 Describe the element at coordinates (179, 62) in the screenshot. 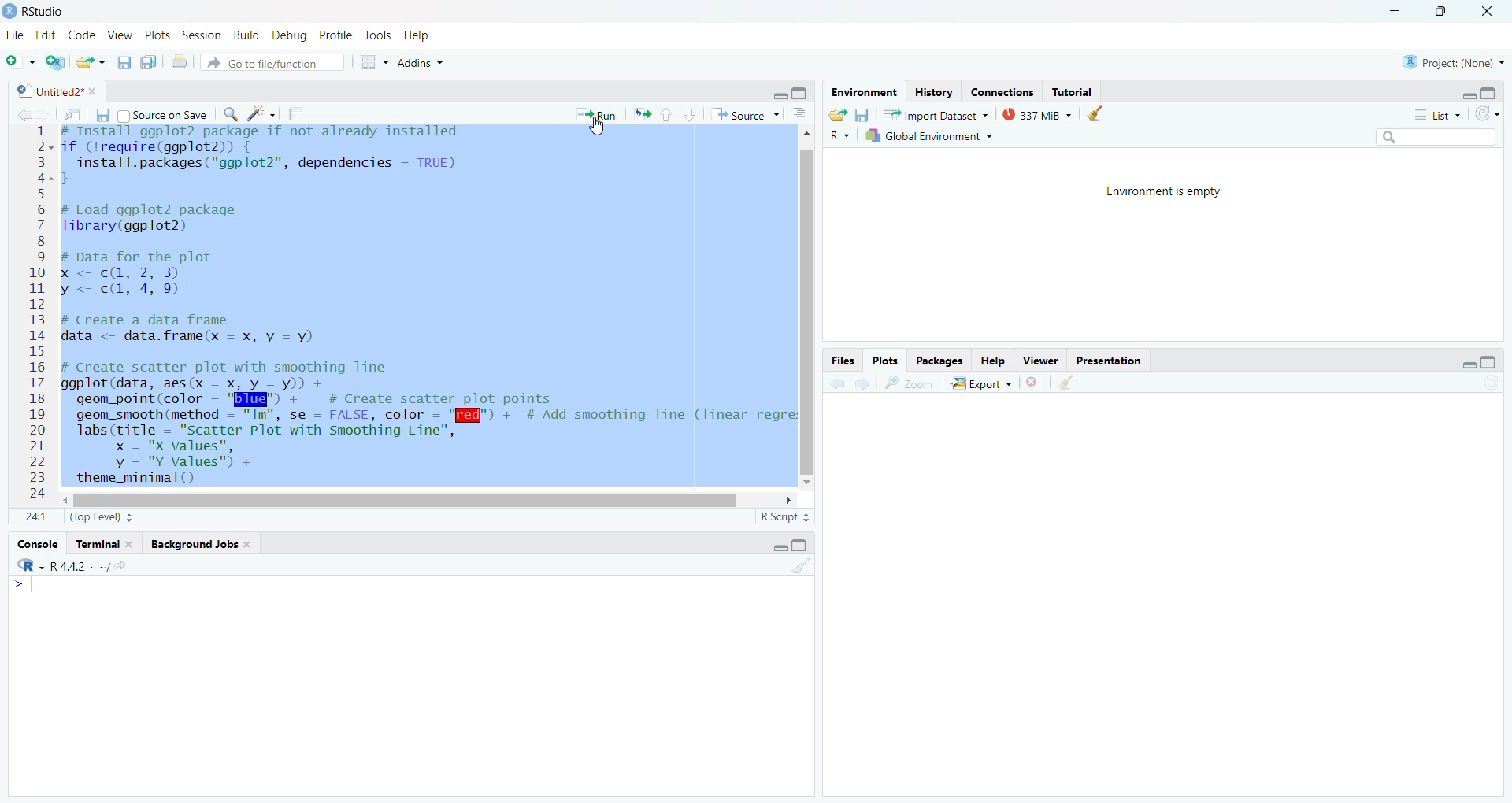

I see `print the current file` at that location.